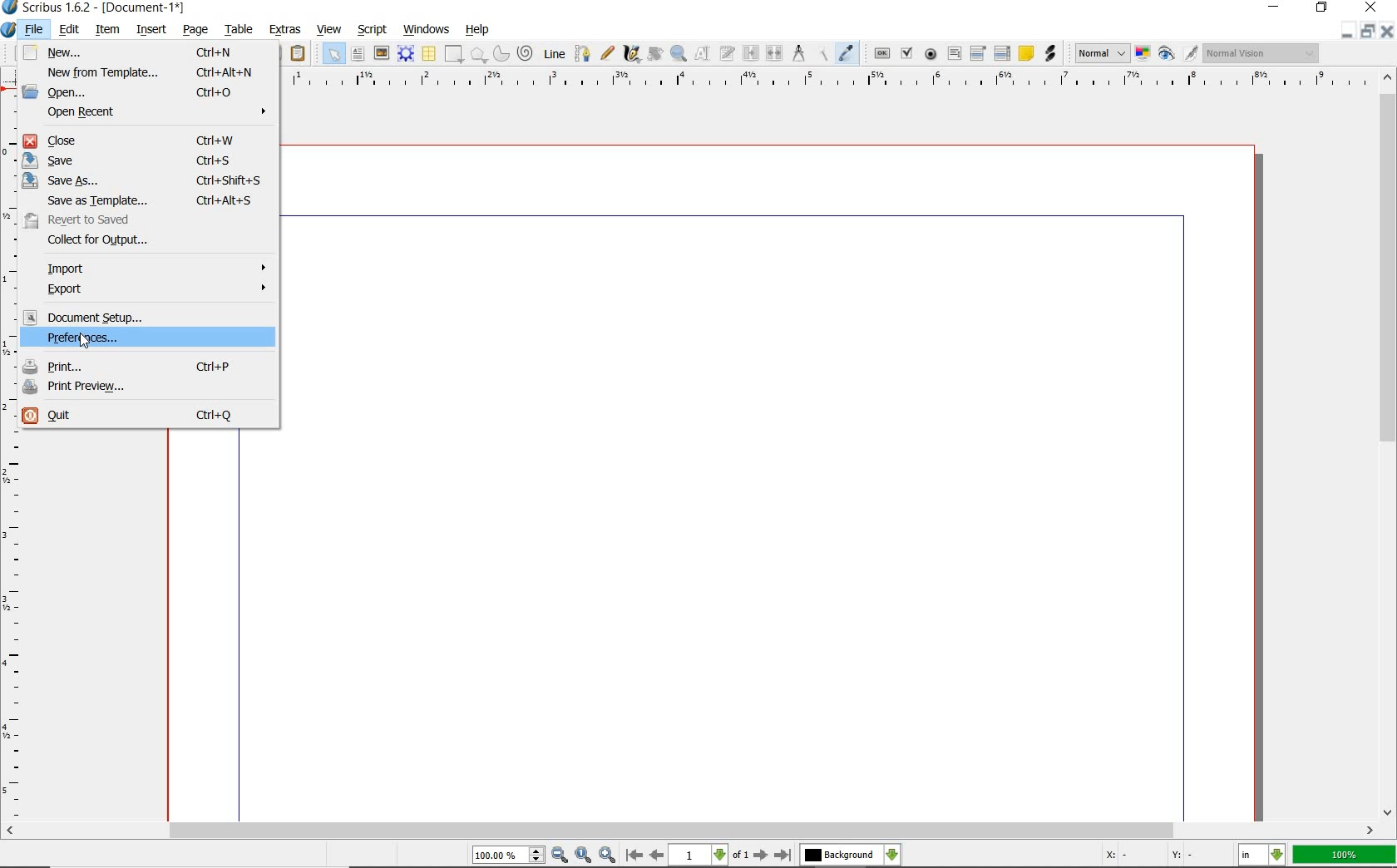 Image resolution: width=1397 pixels, height=868 pixels. Describe the element at coordinates (847, 52) in the screenshot. I see `eye dropper` at that location.